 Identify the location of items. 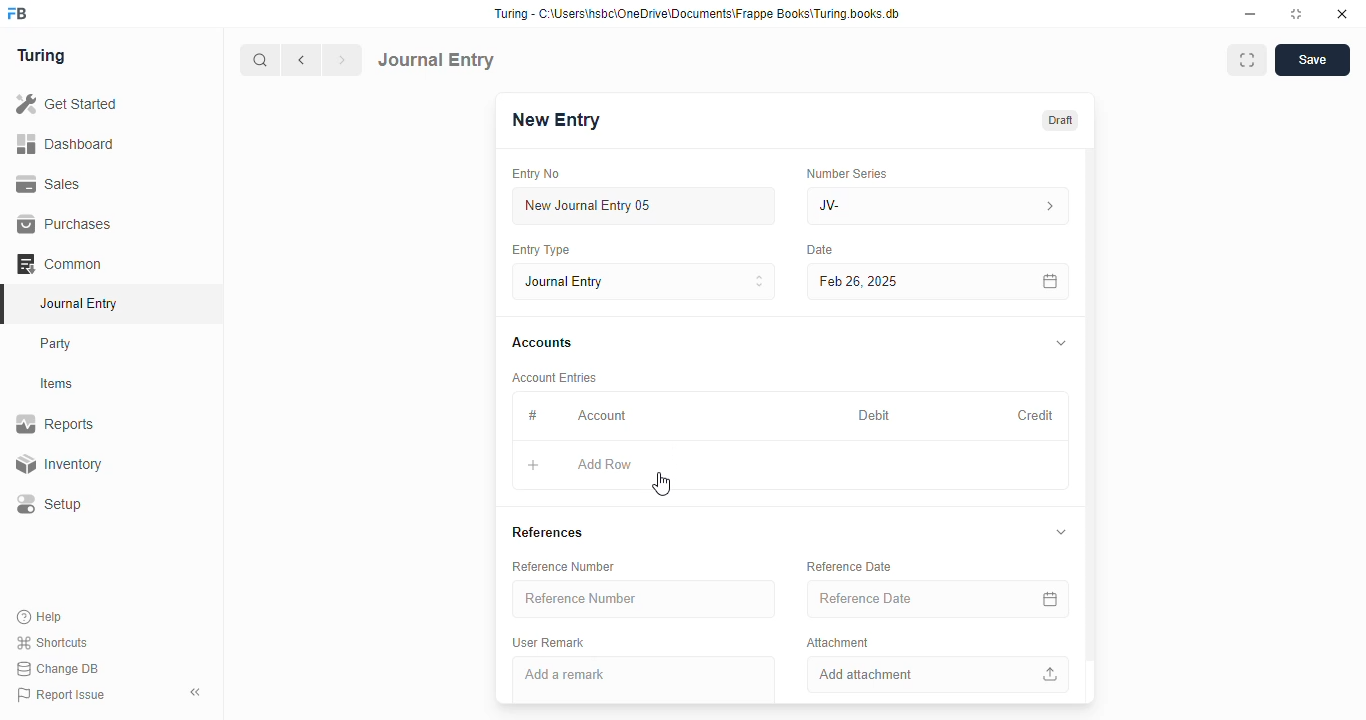
(59, 384).